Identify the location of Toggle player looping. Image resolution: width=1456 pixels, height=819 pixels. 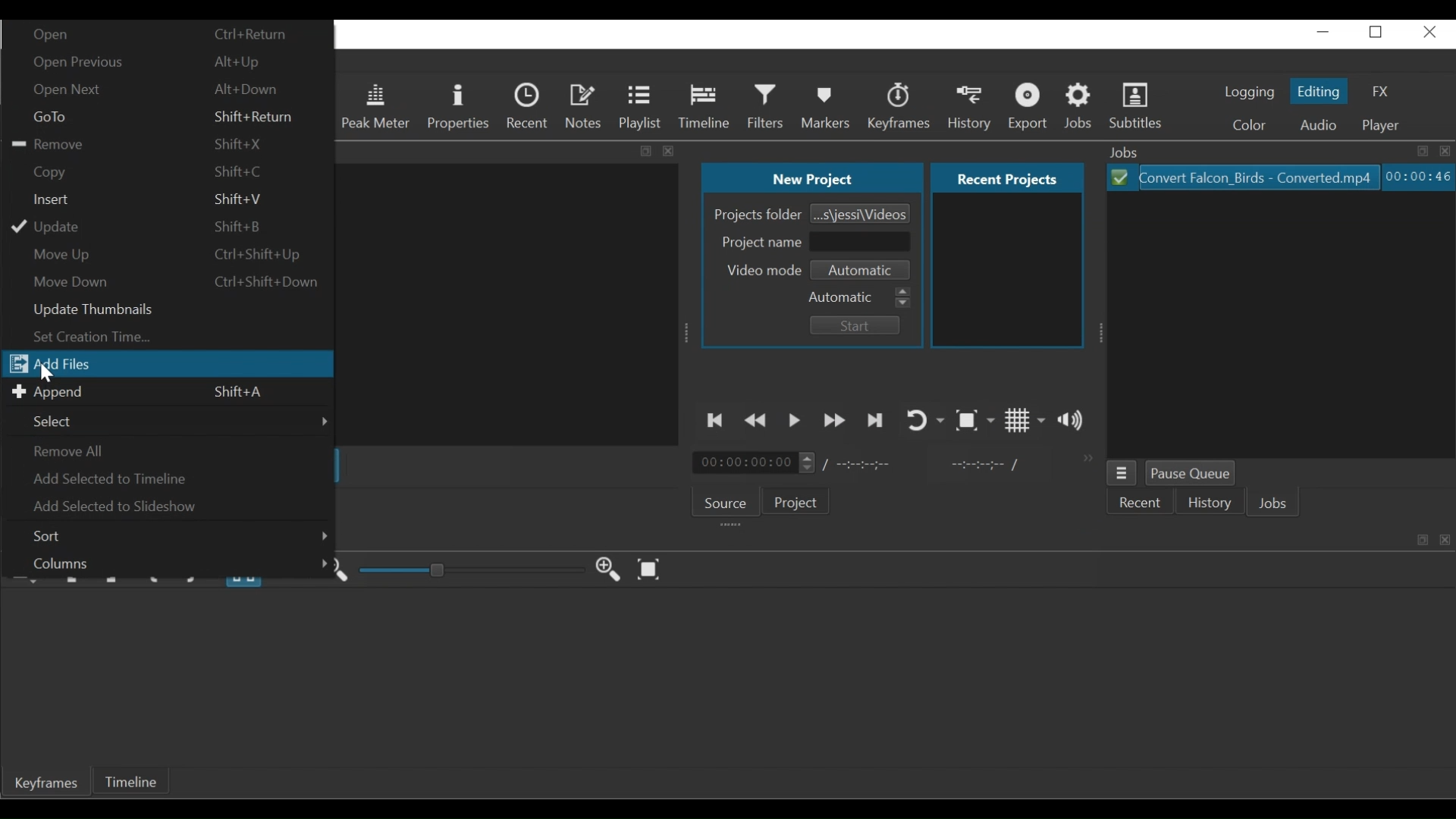
(924, 419).